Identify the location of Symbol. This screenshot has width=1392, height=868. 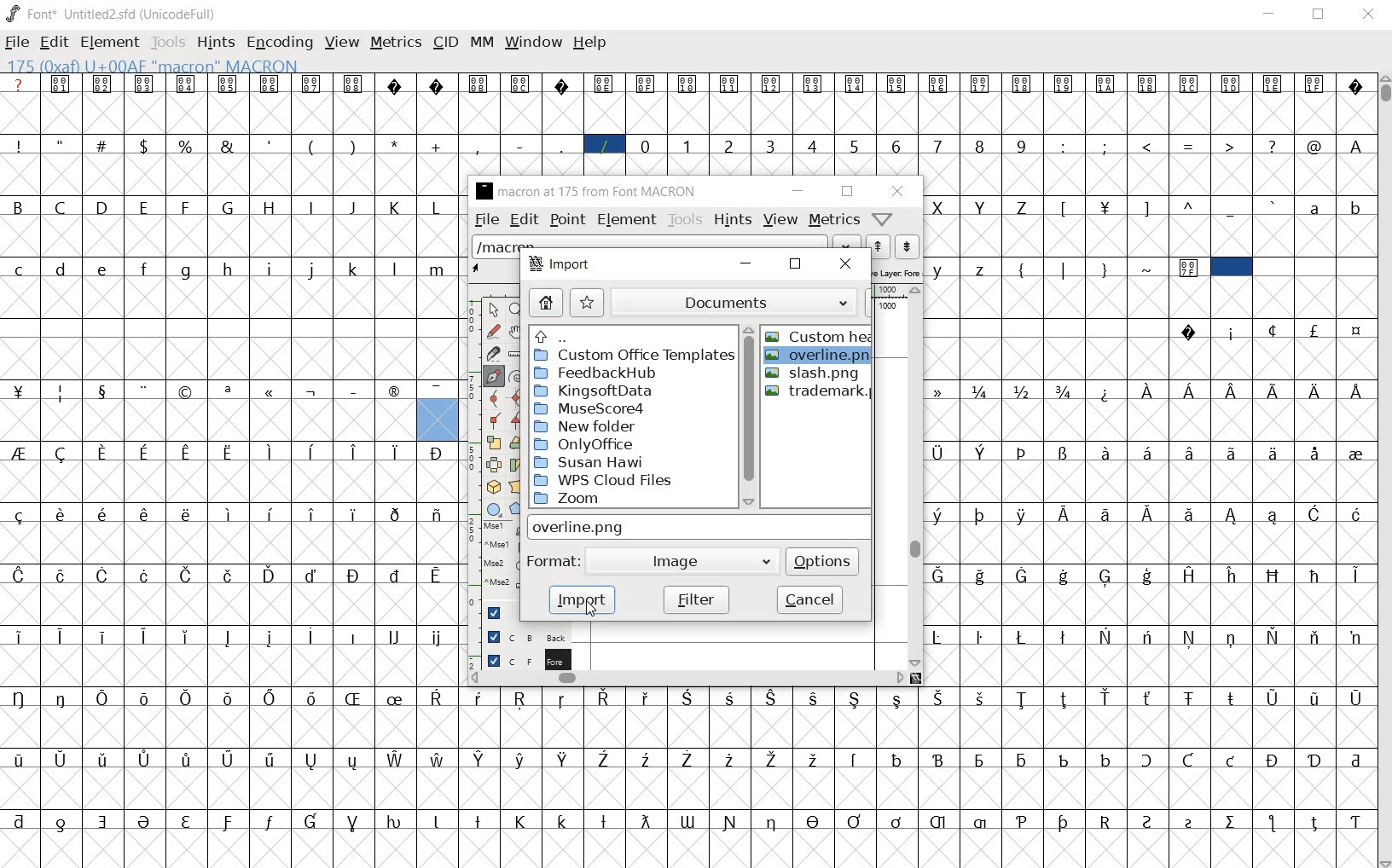
(896, 758).